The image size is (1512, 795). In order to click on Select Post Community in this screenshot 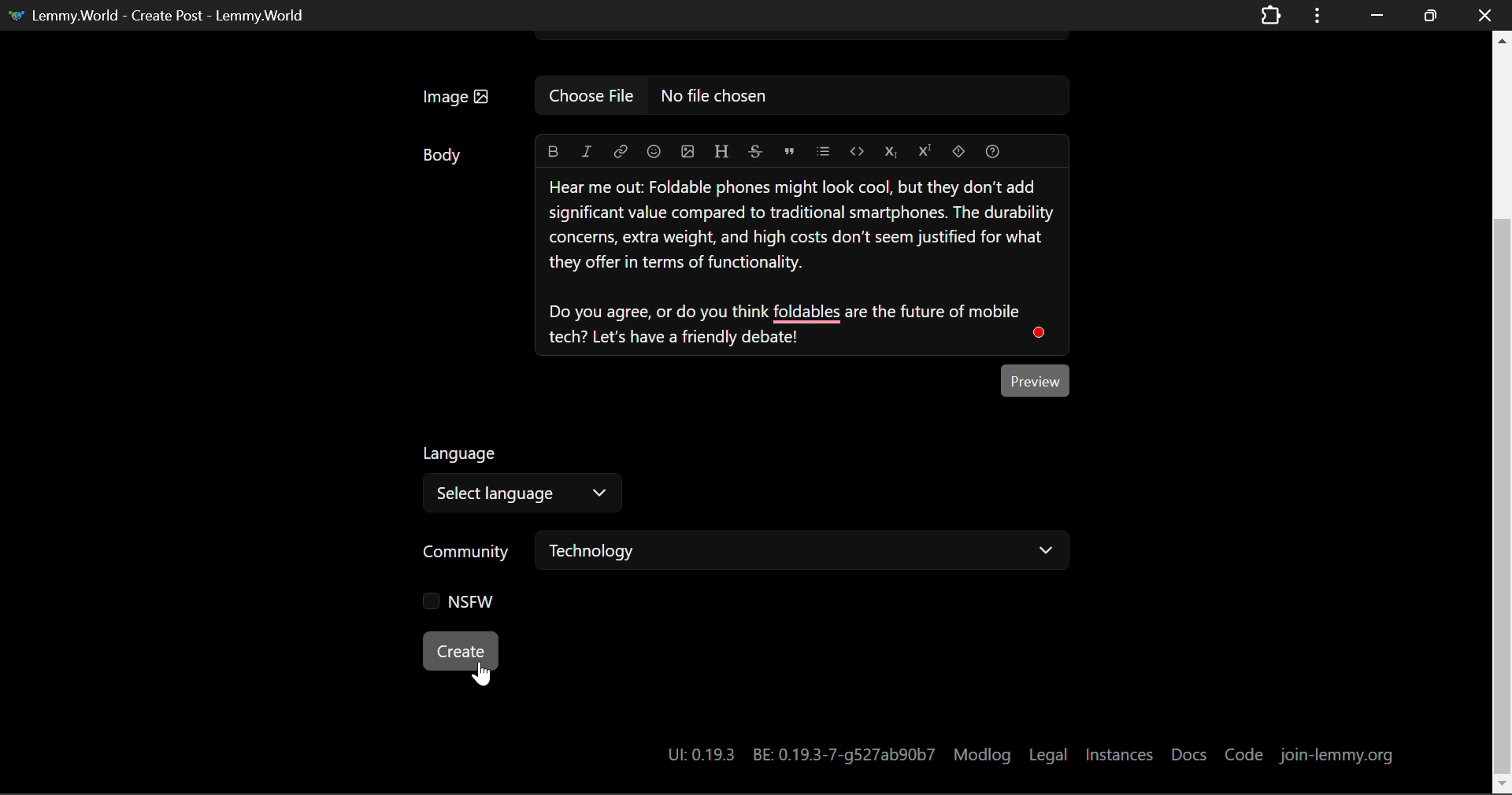, I will do `click(754, 553)`.